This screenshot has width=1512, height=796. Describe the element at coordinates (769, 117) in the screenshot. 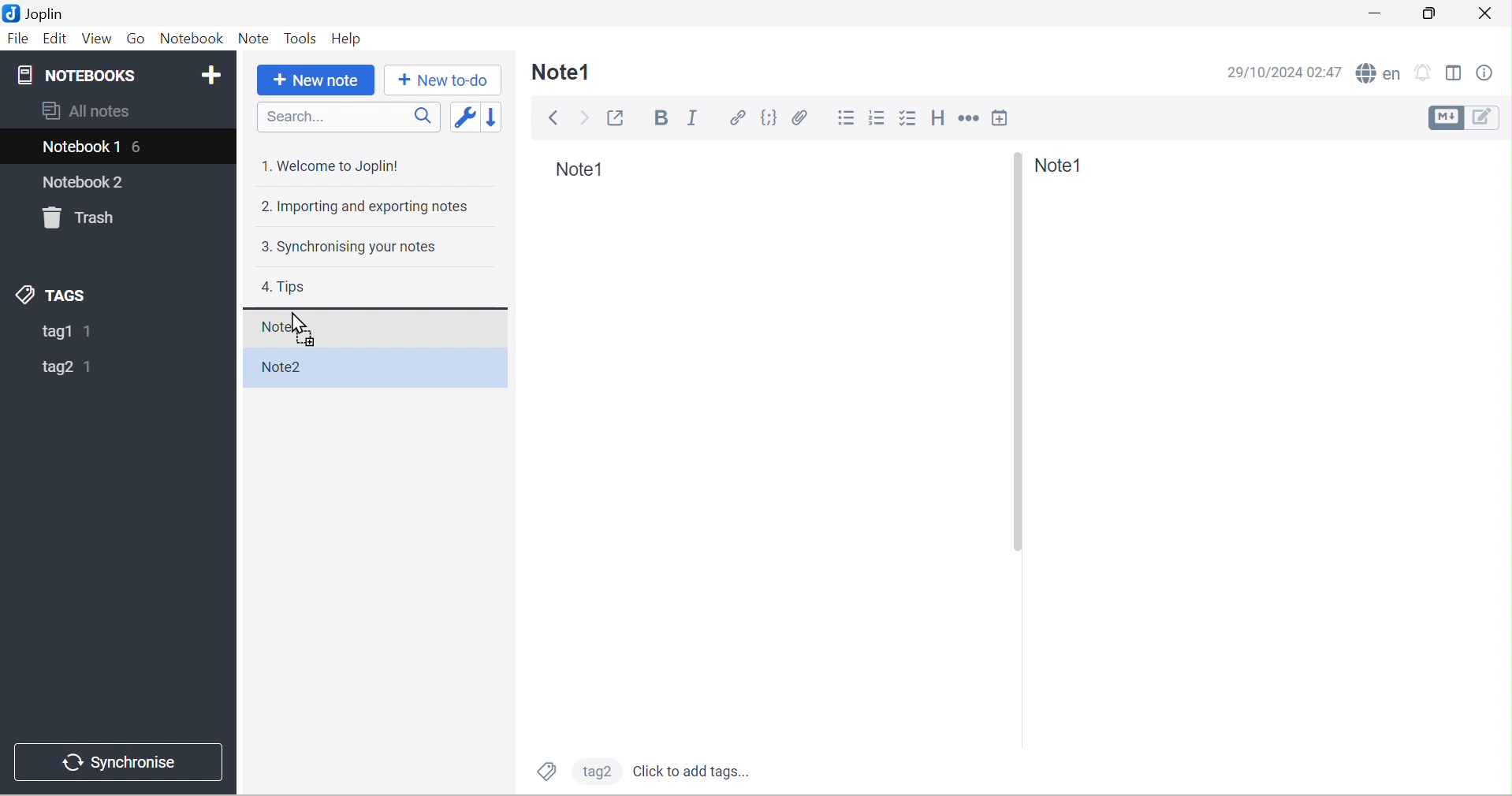

I see `Code` at that location.